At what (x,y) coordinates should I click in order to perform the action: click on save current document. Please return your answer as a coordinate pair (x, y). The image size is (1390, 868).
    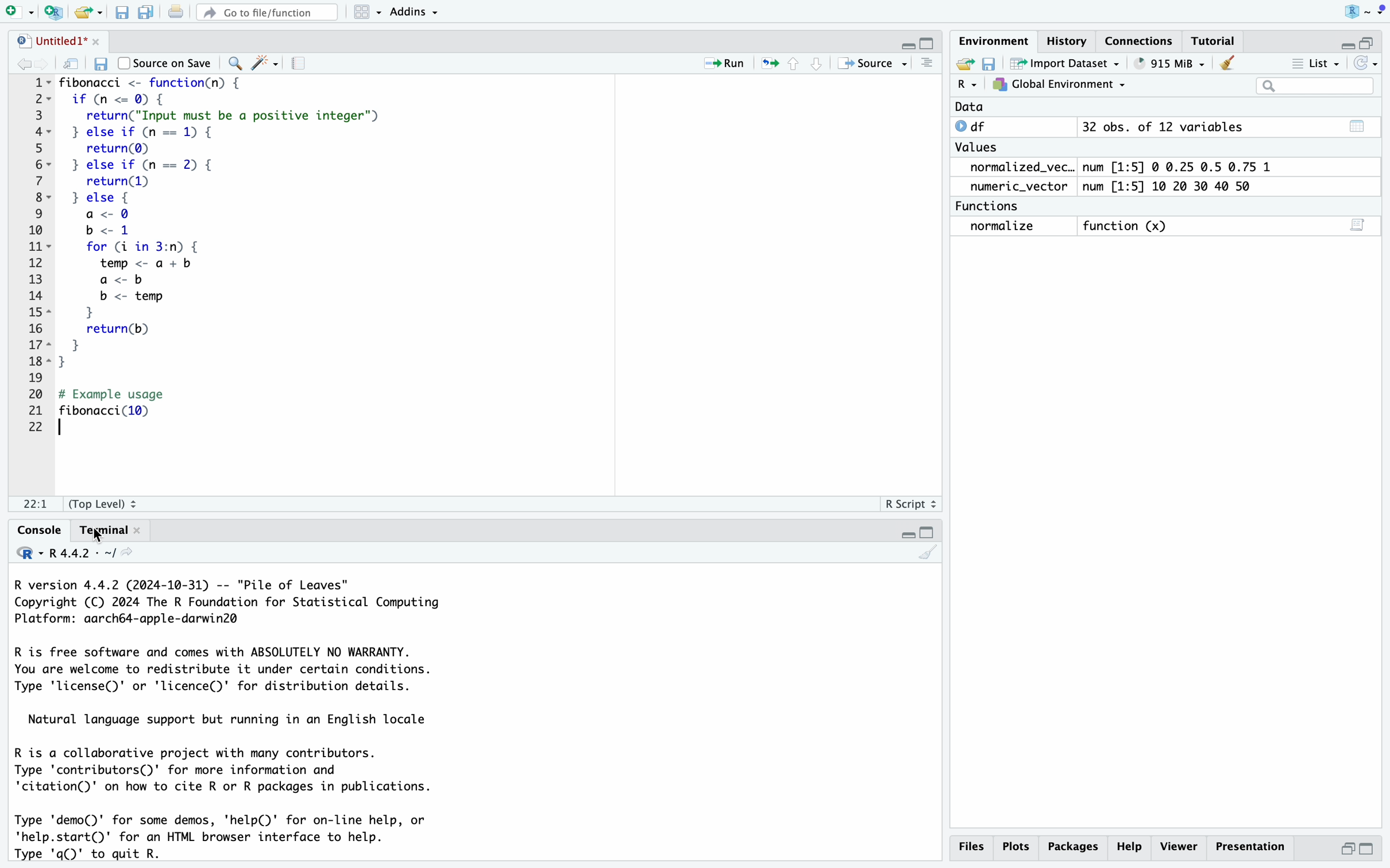
    Looking at the image, I should click on (122, 13).